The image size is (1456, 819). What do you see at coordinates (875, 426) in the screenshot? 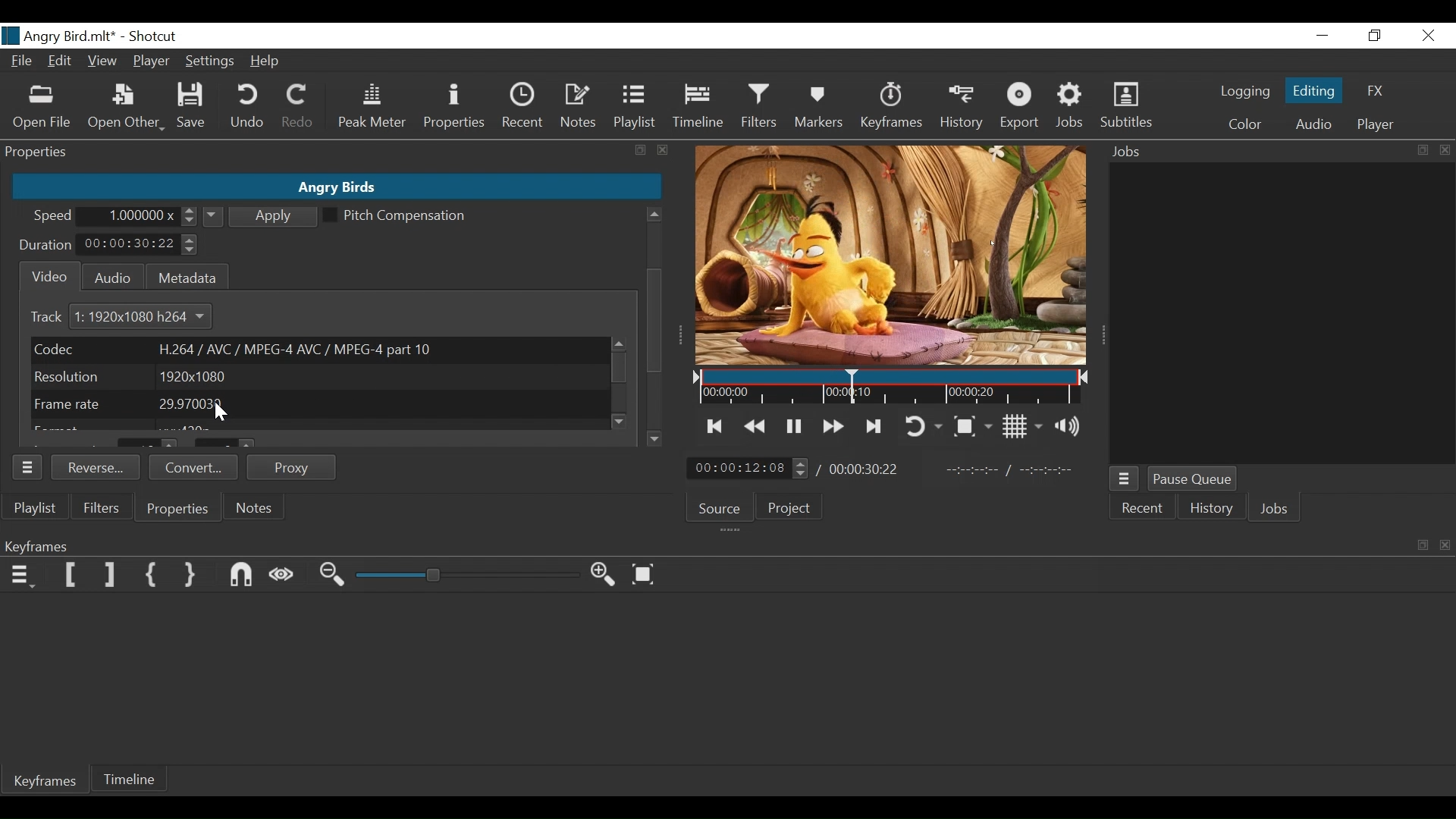
I see `Skip to the next point ` at bounding box center [875, 426].